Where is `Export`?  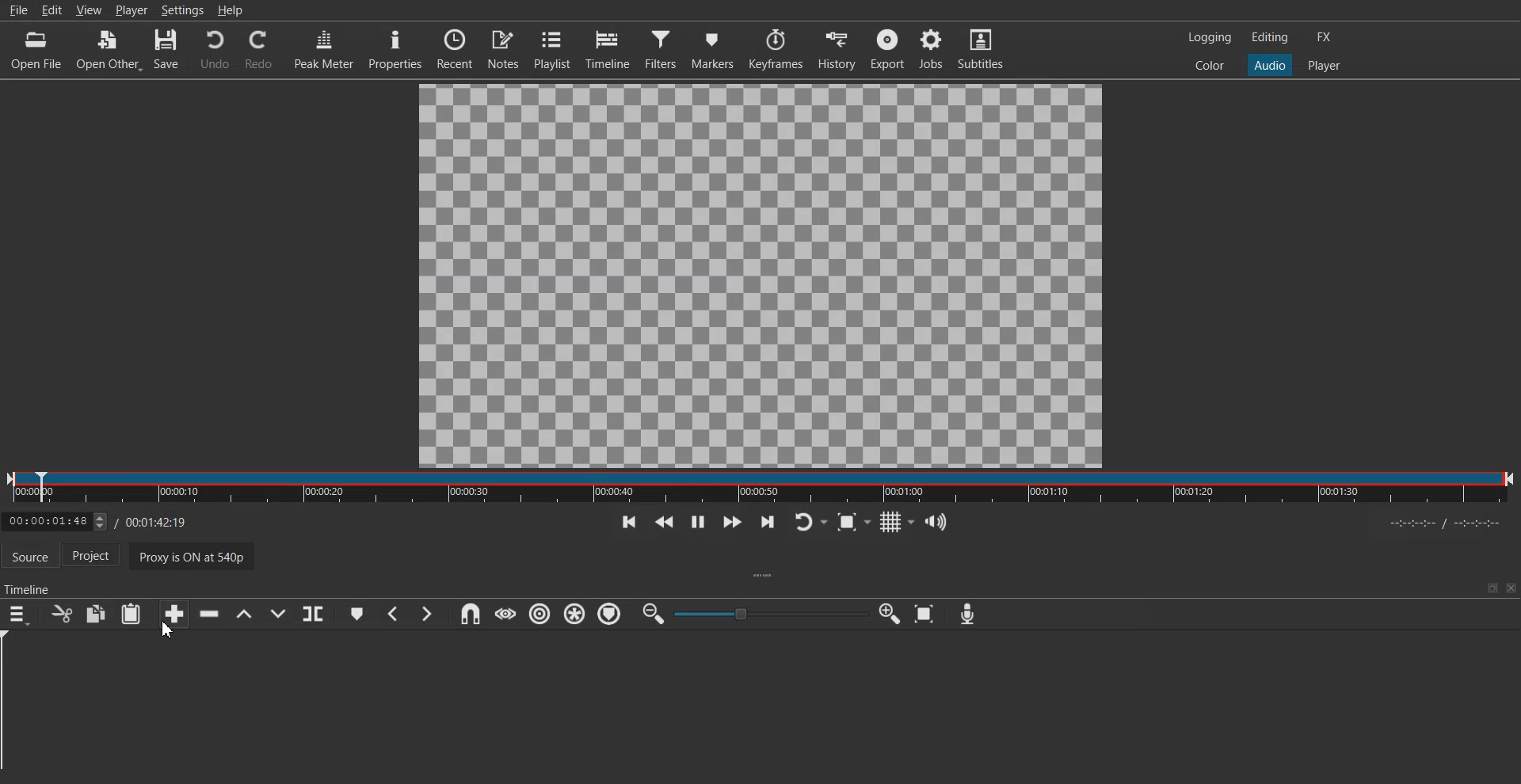
Export is located at coordinates (888, 48).